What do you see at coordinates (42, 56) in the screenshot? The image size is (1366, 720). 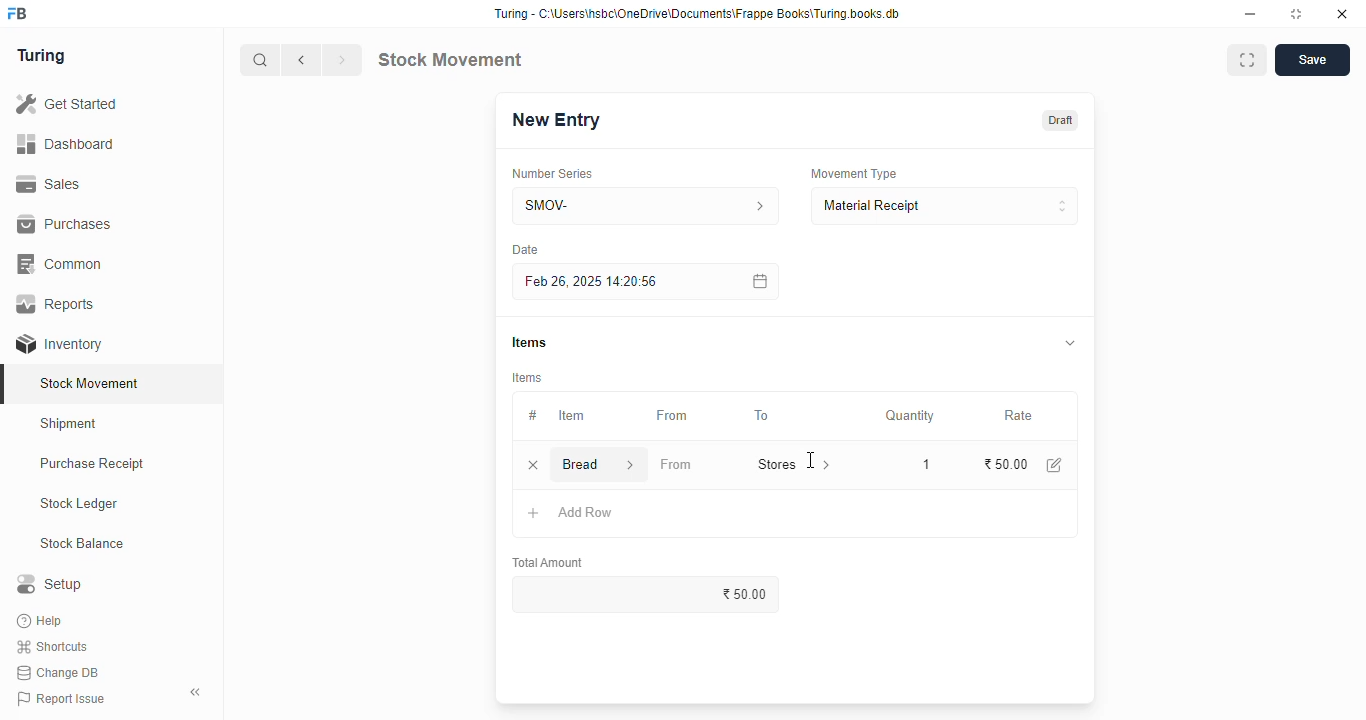 I see `turing` at bounding box center [42, 56].